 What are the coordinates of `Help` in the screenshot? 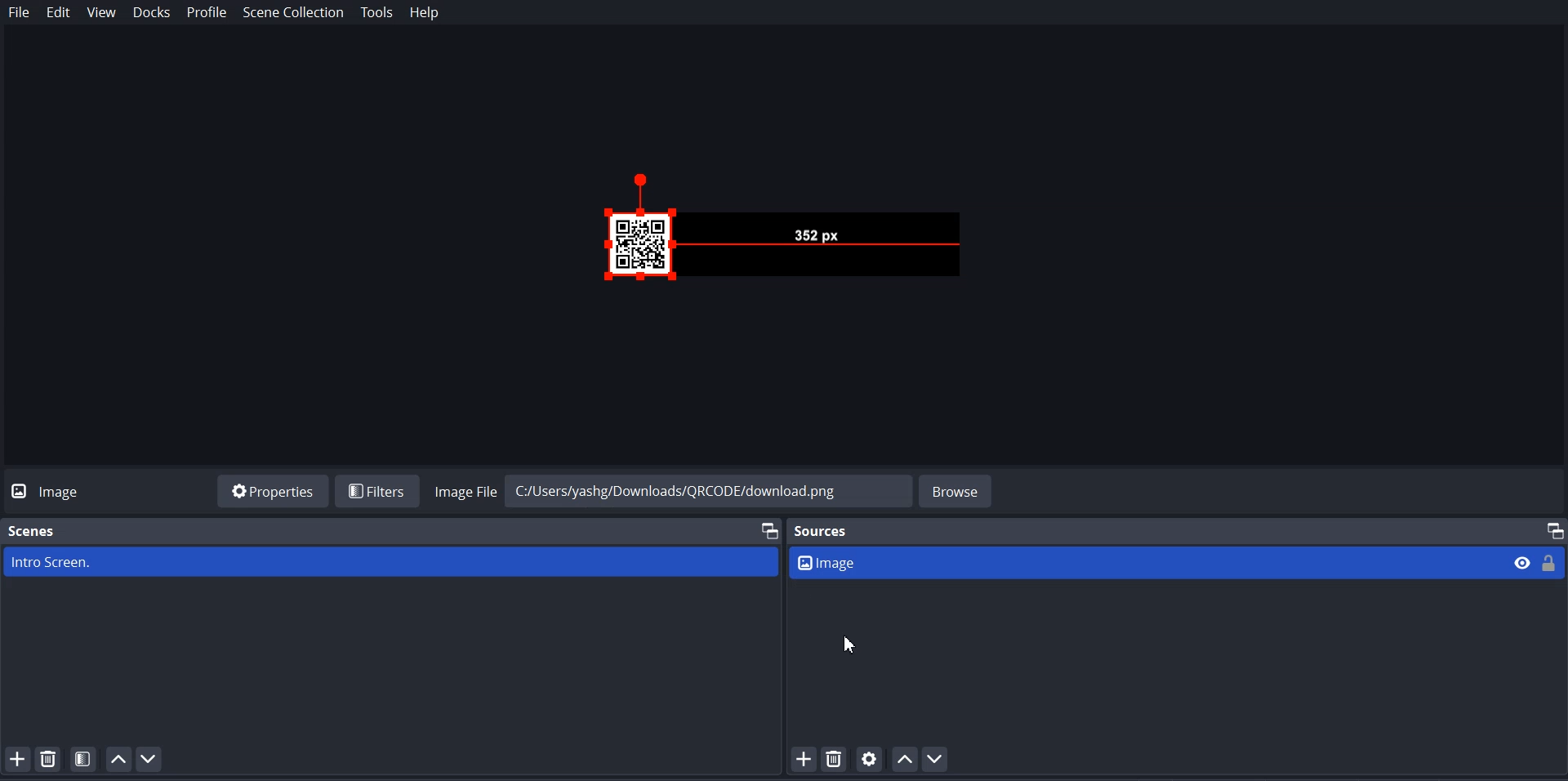 It's located at (425, 13).